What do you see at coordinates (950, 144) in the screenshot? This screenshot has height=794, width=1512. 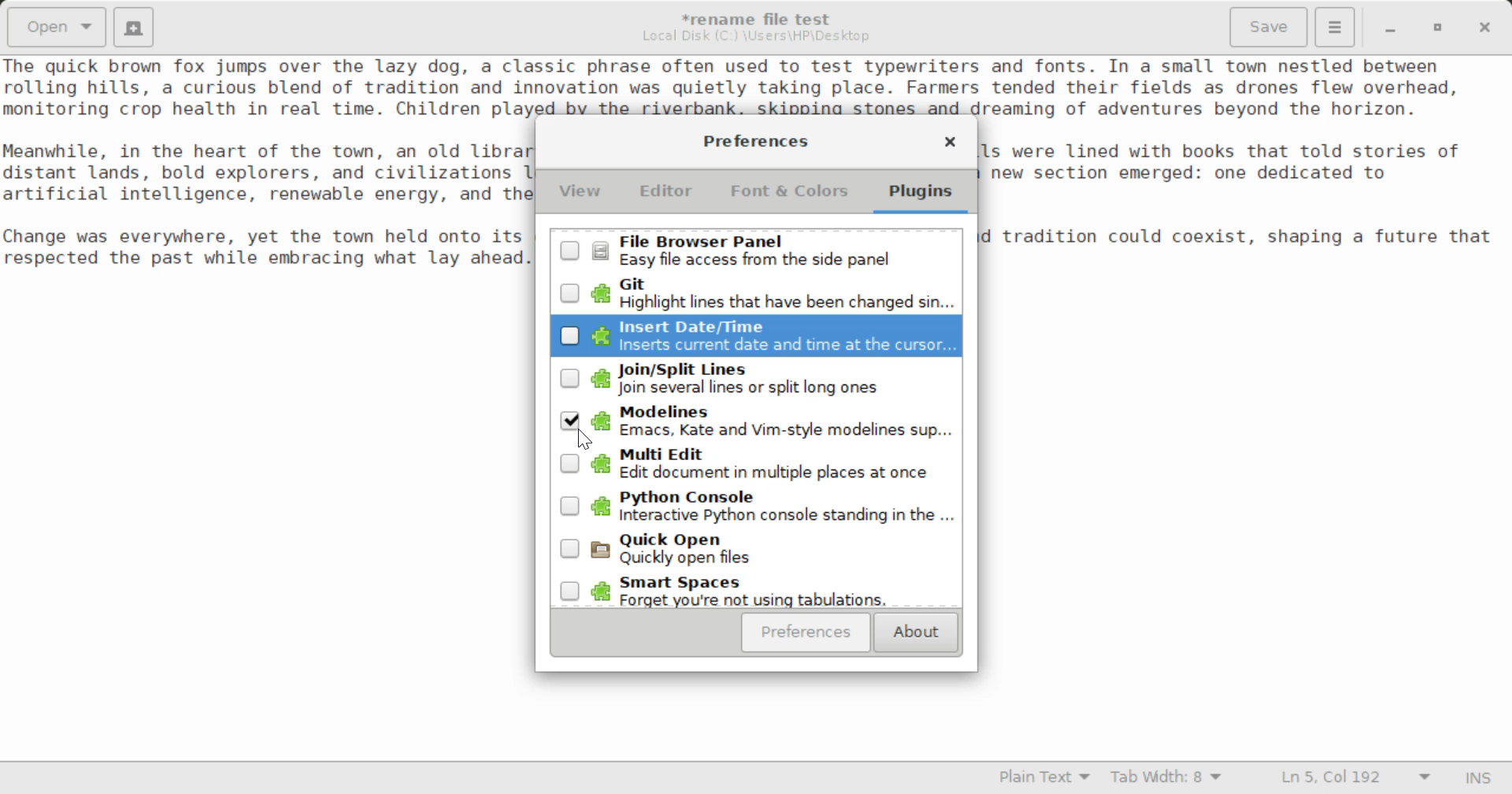 I see `Close Window` at bounding box center [950, 144].